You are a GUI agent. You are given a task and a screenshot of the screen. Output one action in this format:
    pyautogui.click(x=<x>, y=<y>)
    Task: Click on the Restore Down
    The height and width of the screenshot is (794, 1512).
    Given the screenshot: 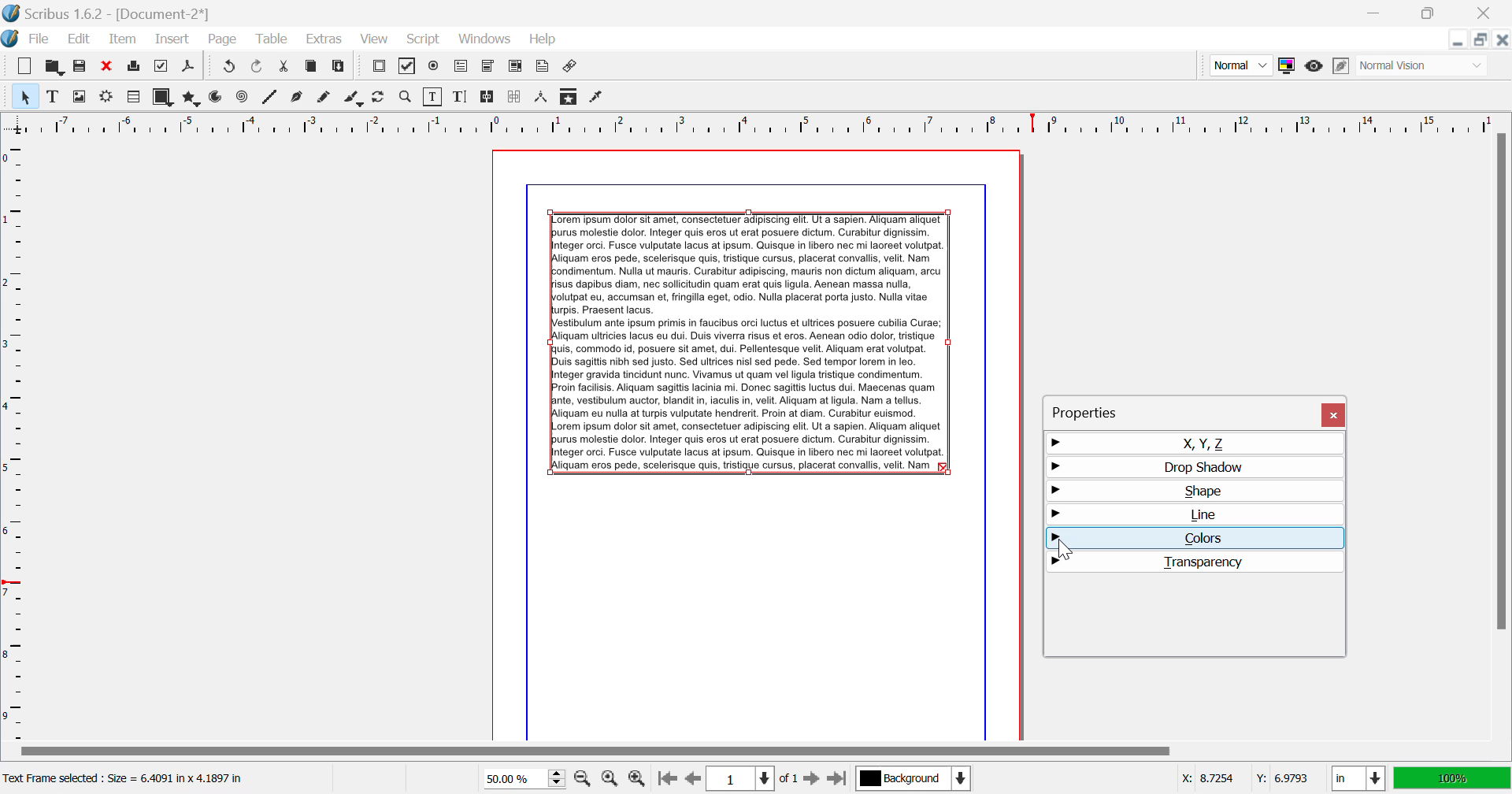 What is the action you would take?
    pyautogui.click(x=1459, y=39)
    